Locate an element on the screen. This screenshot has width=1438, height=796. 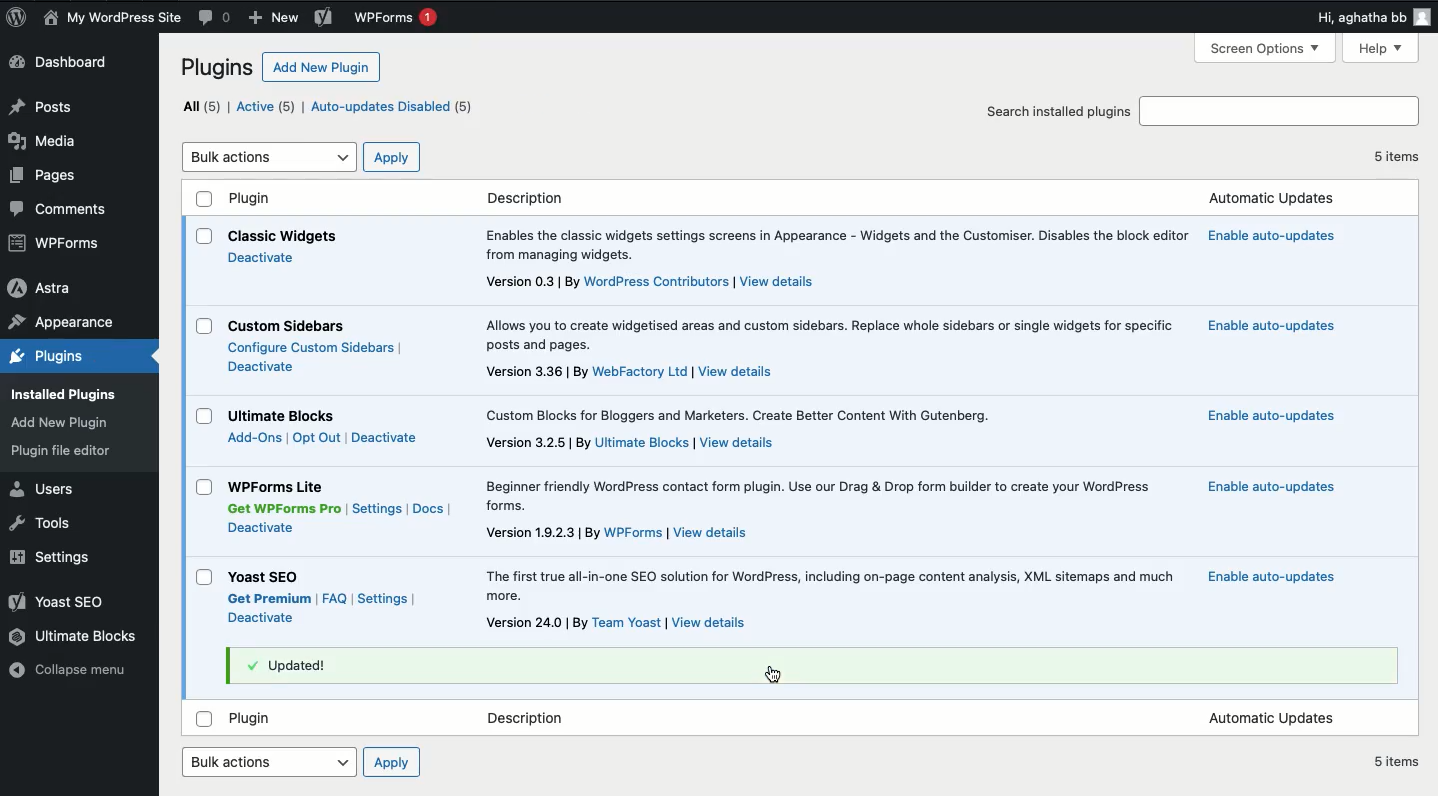
Apply is located at coordinates (393, 761).